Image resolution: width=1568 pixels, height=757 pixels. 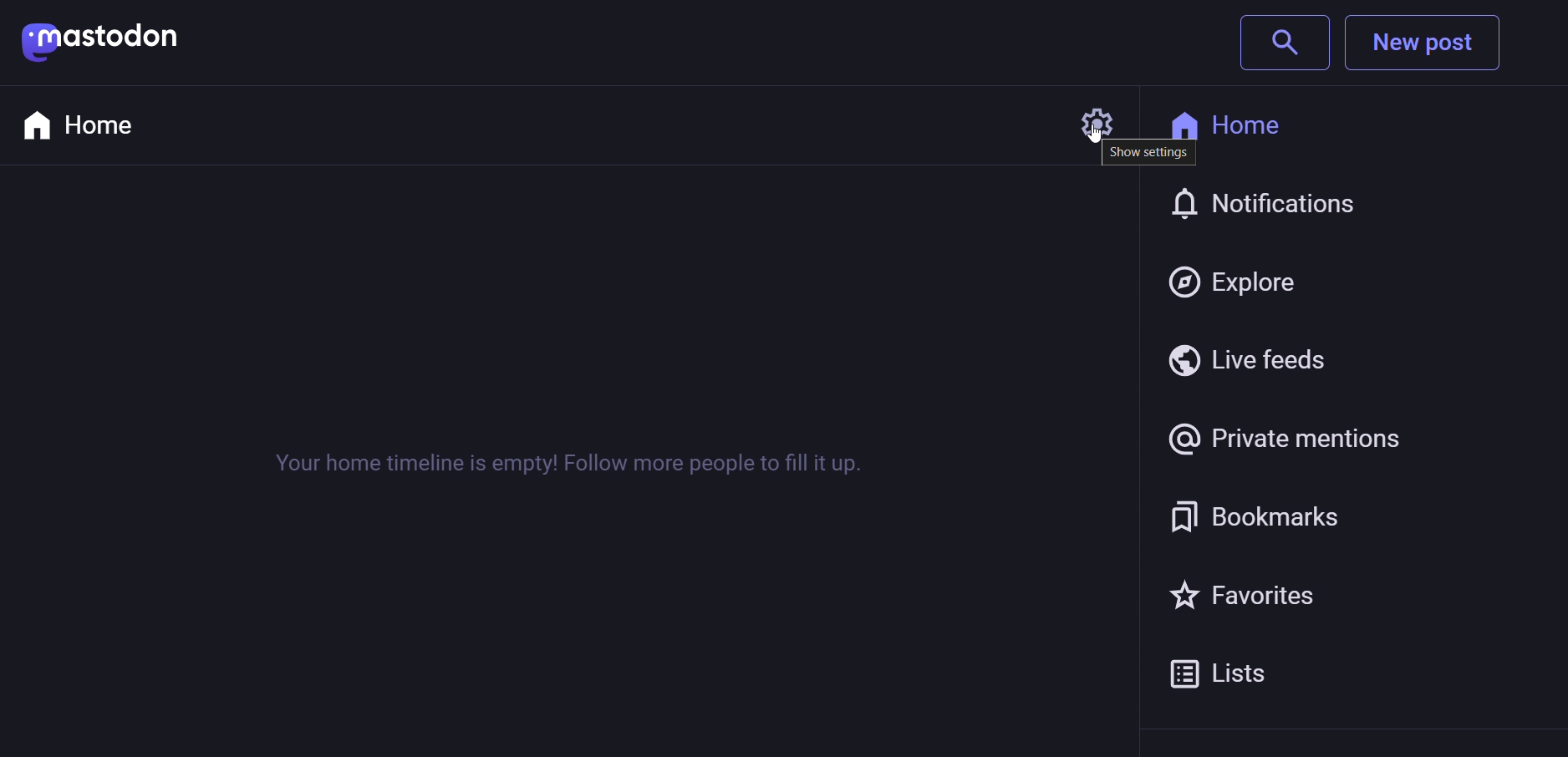 What do you see at coordinates (1248, 358) in the screenshot?
I see `live feed` at bounding box center [1248, 358].